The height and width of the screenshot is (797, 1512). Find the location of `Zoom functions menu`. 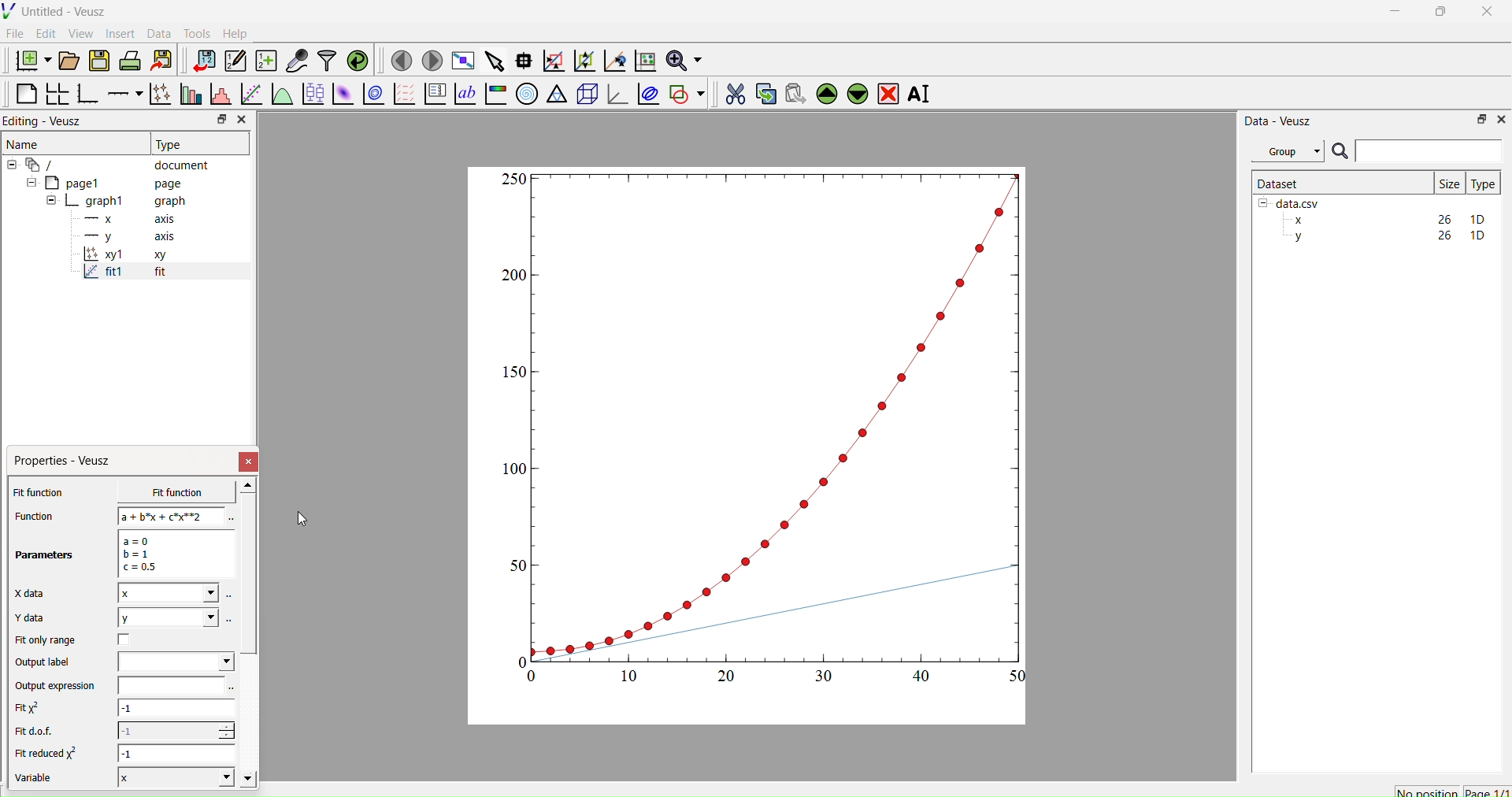

Zoom functions menu is located at coordinates (683, 58).